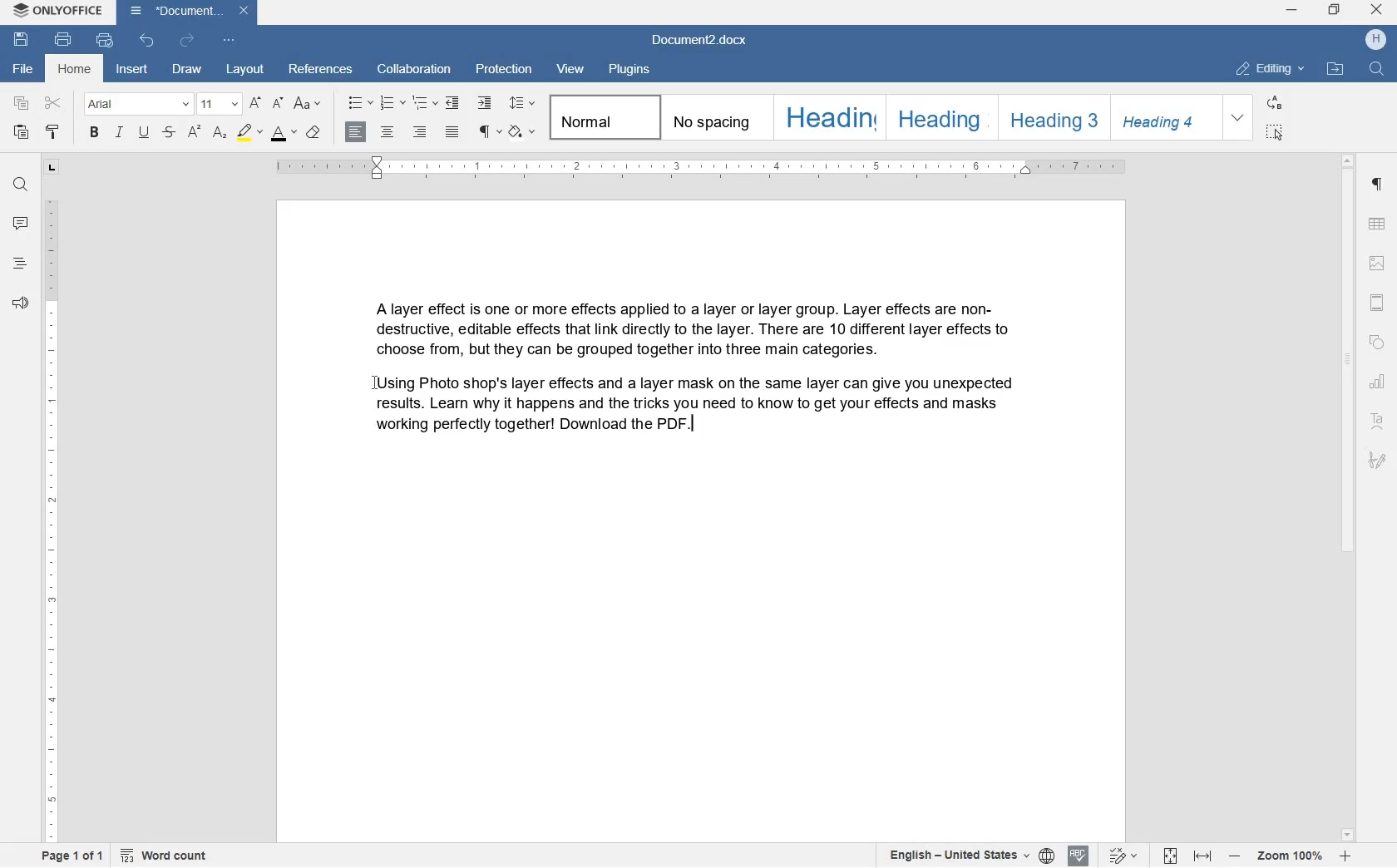  What do you see at coordinates (219, 133) in the screenshot?
I see `SUBSCRIPT` at bounding box center [219, 133].